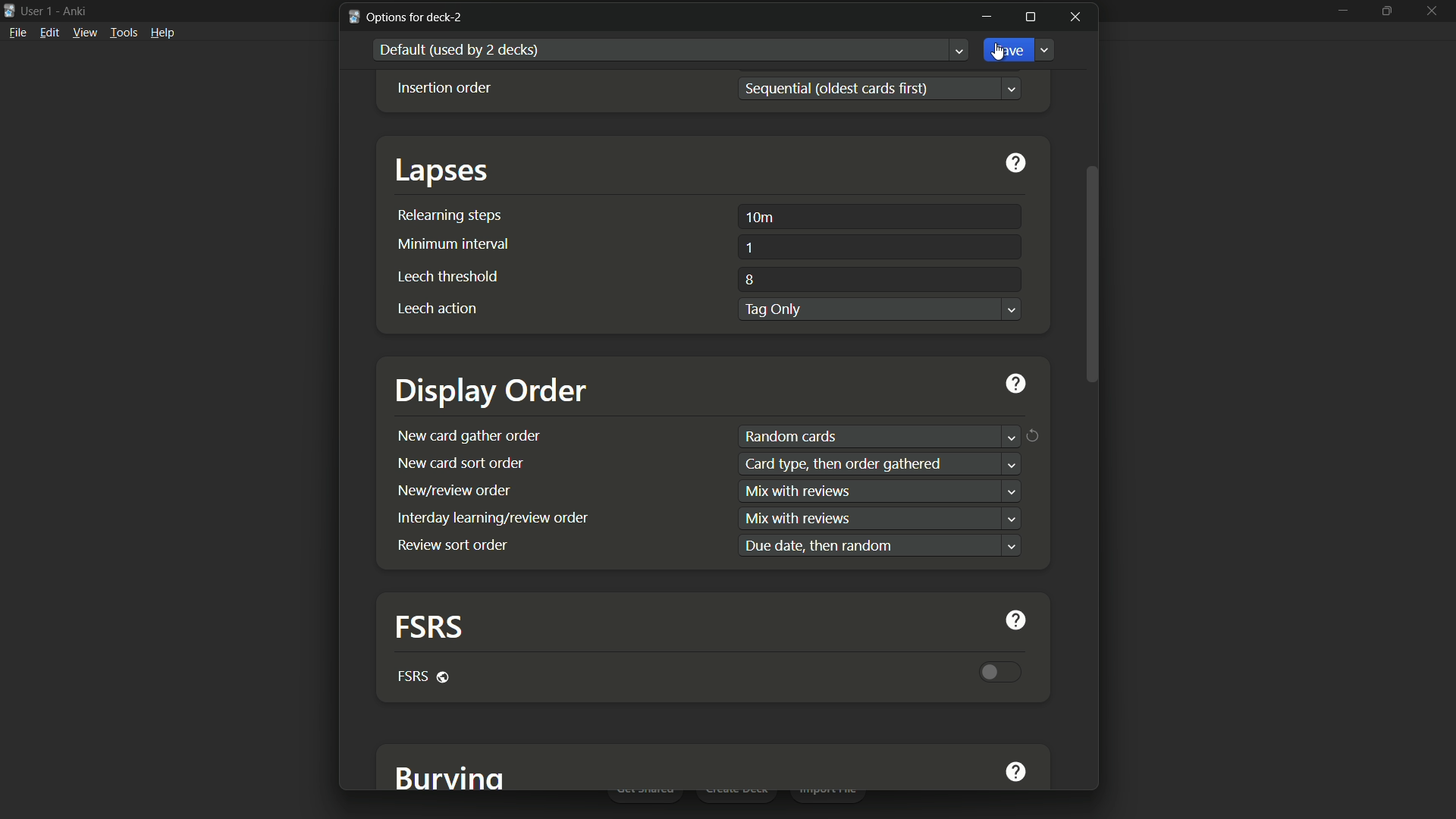  What do you see at coordinates (1031, 18) in the screenshot?
I see `maximize` at bounding box center [1031, 18].